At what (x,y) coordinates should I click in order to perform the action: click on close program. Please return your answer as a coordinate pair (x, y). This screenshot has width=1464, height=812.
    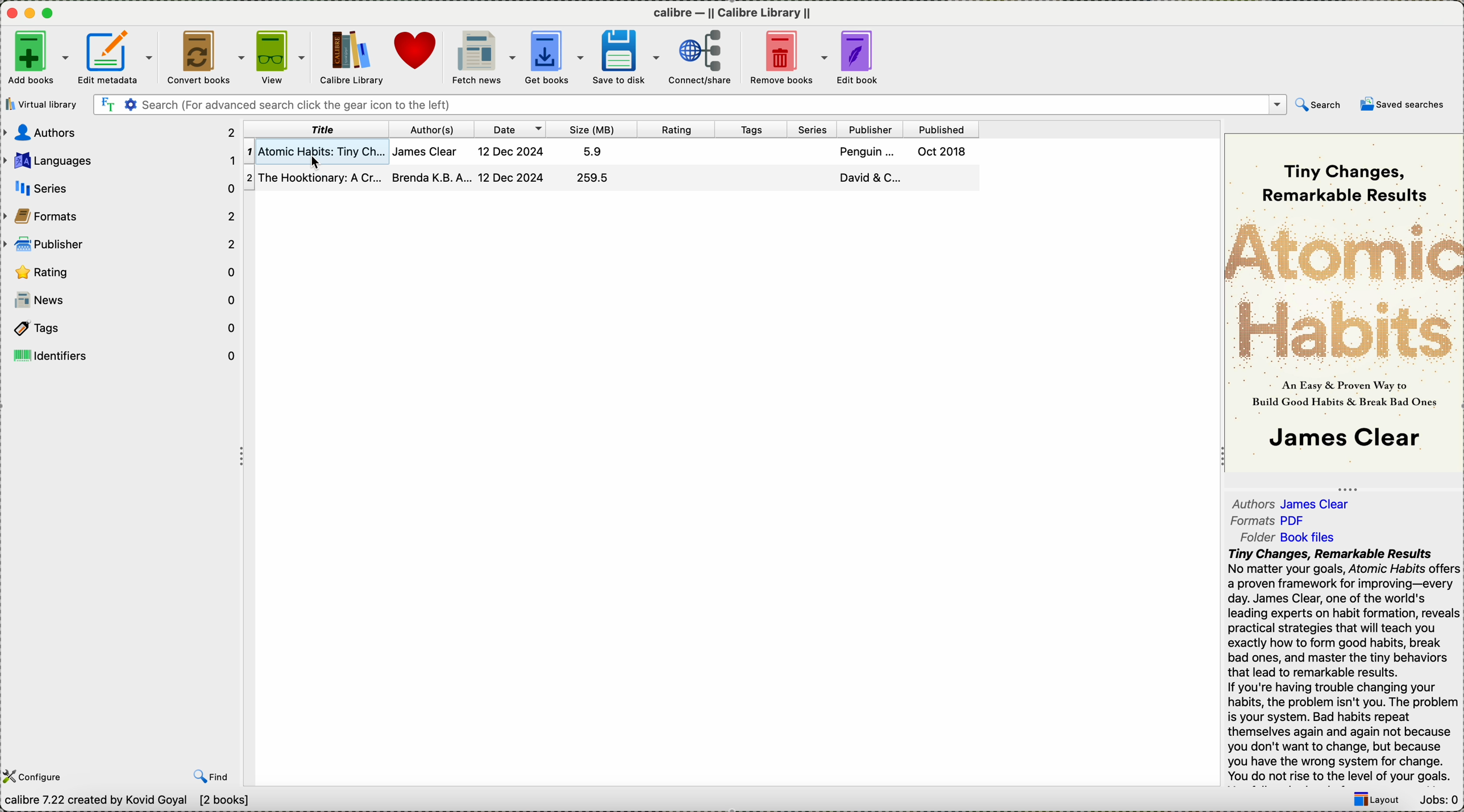
    Looking at the image, I should click on (9, 12).